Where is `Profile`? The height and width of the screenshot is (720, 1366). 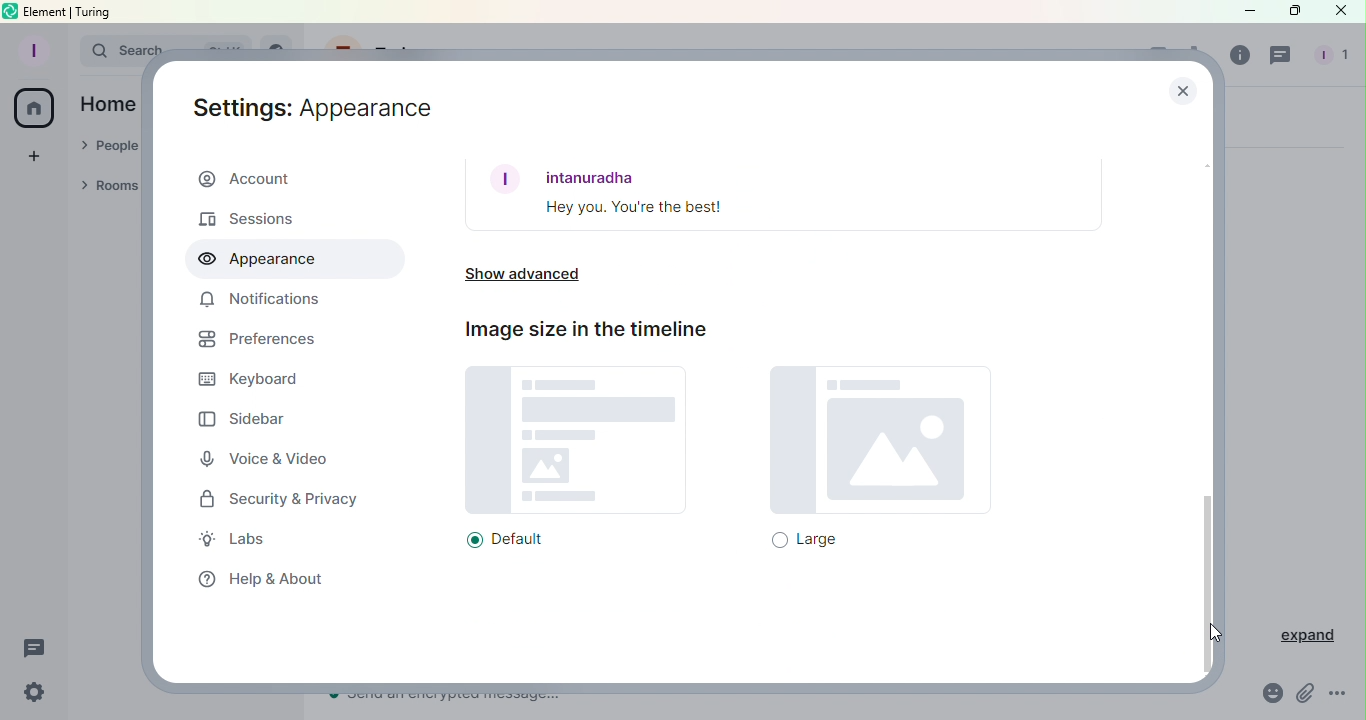 Profile is located at coordinates (31, 49).